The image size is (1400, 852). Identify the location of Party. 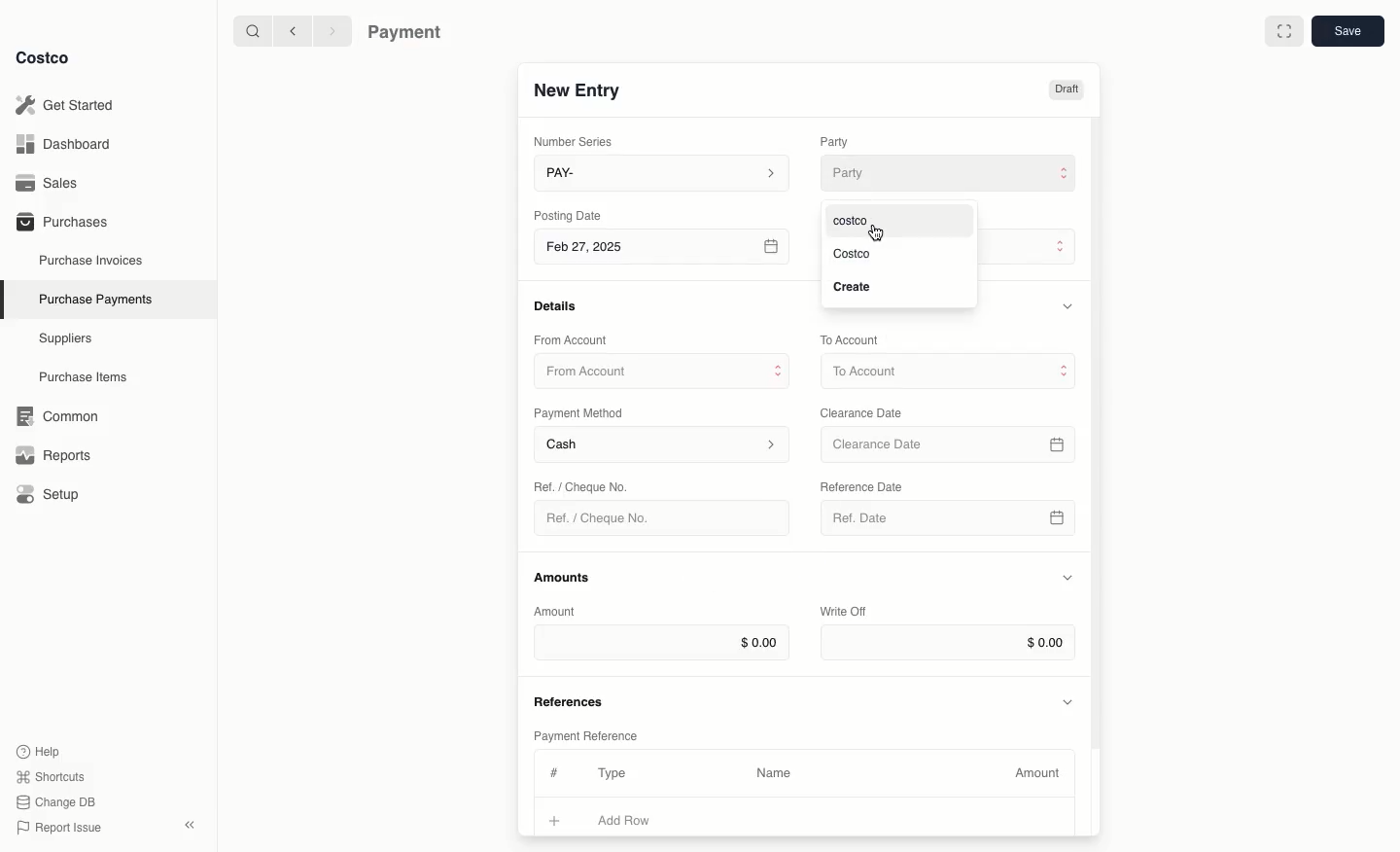
(838, 141).